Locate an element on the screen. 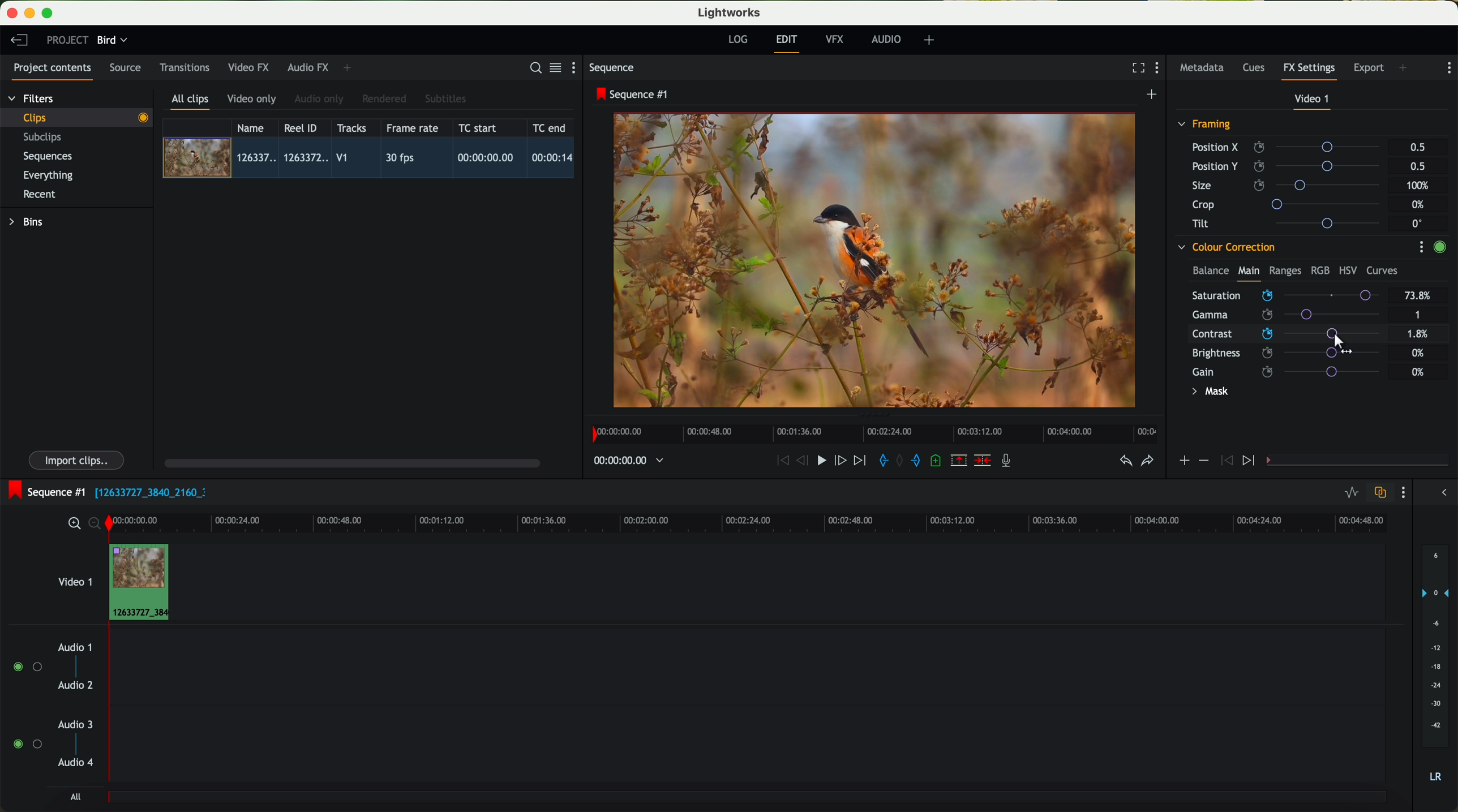  video 1 is located at coordinates (1313, 101).